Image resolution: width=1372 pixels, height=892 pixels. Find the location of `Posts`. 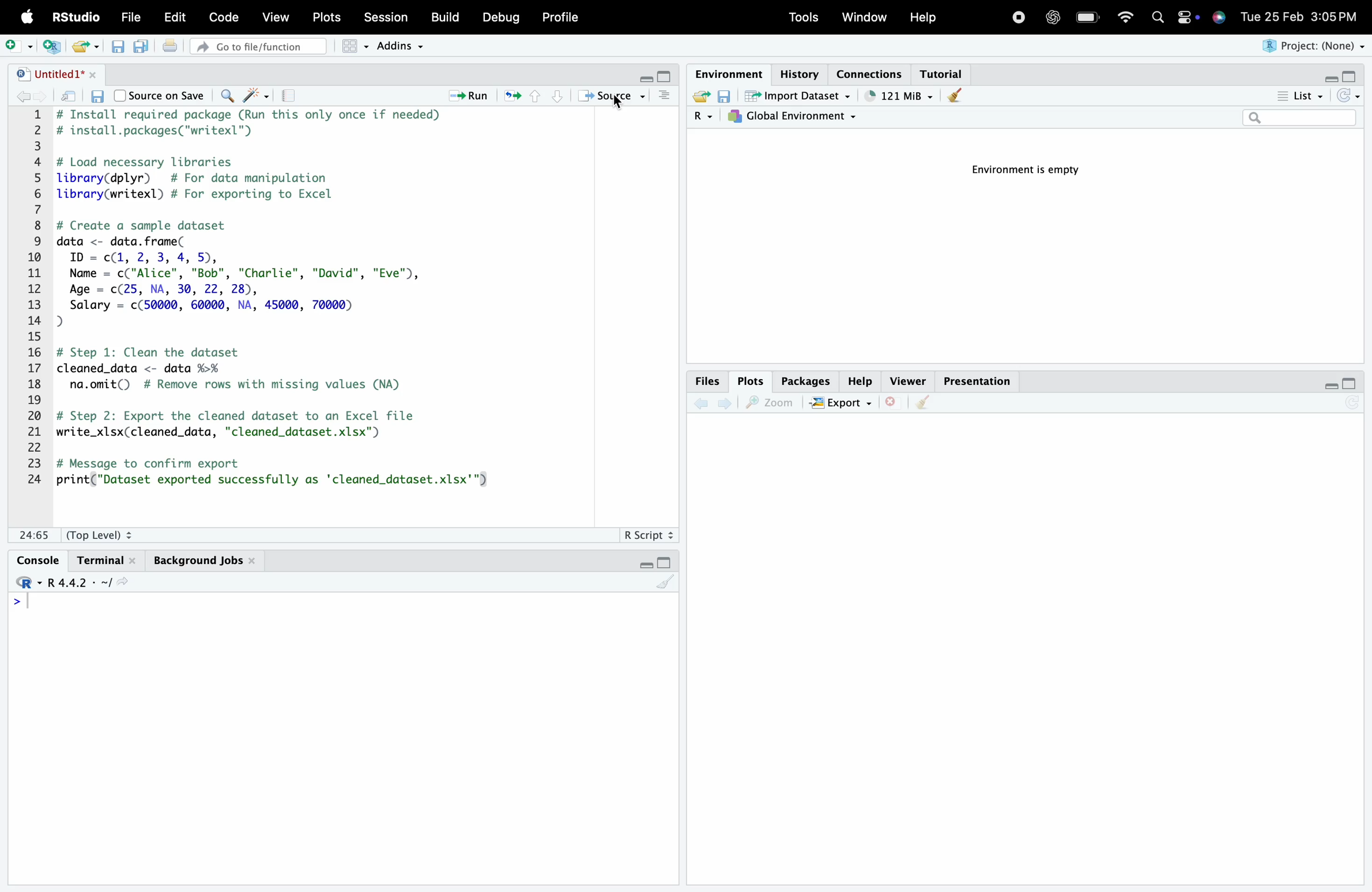

Posts is located at coordinates (328, 18).